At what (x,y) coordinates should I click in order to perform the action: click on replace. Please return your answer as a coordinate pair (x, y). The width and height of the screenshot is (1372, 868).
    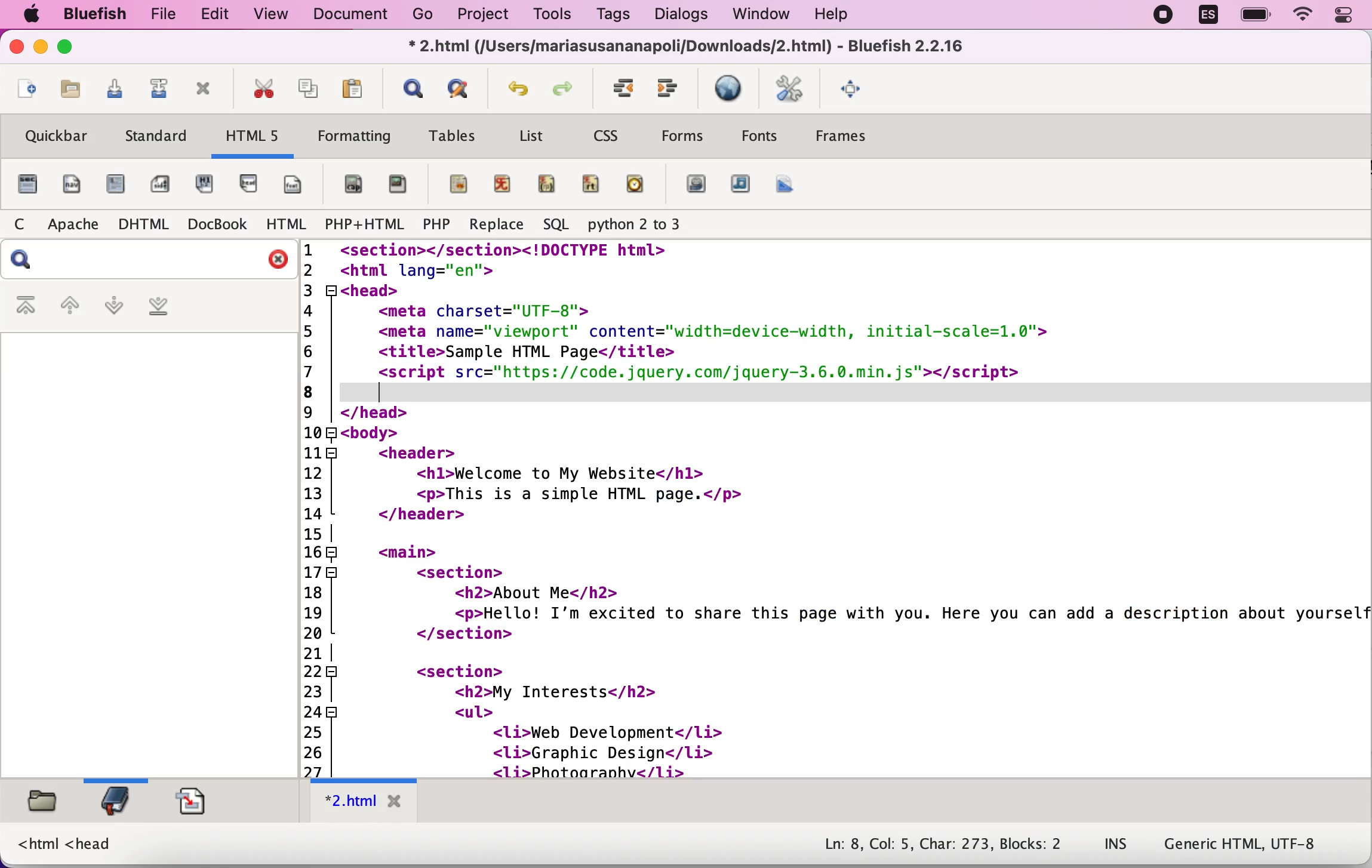
    Looking at the image, I should click on (494, 226).